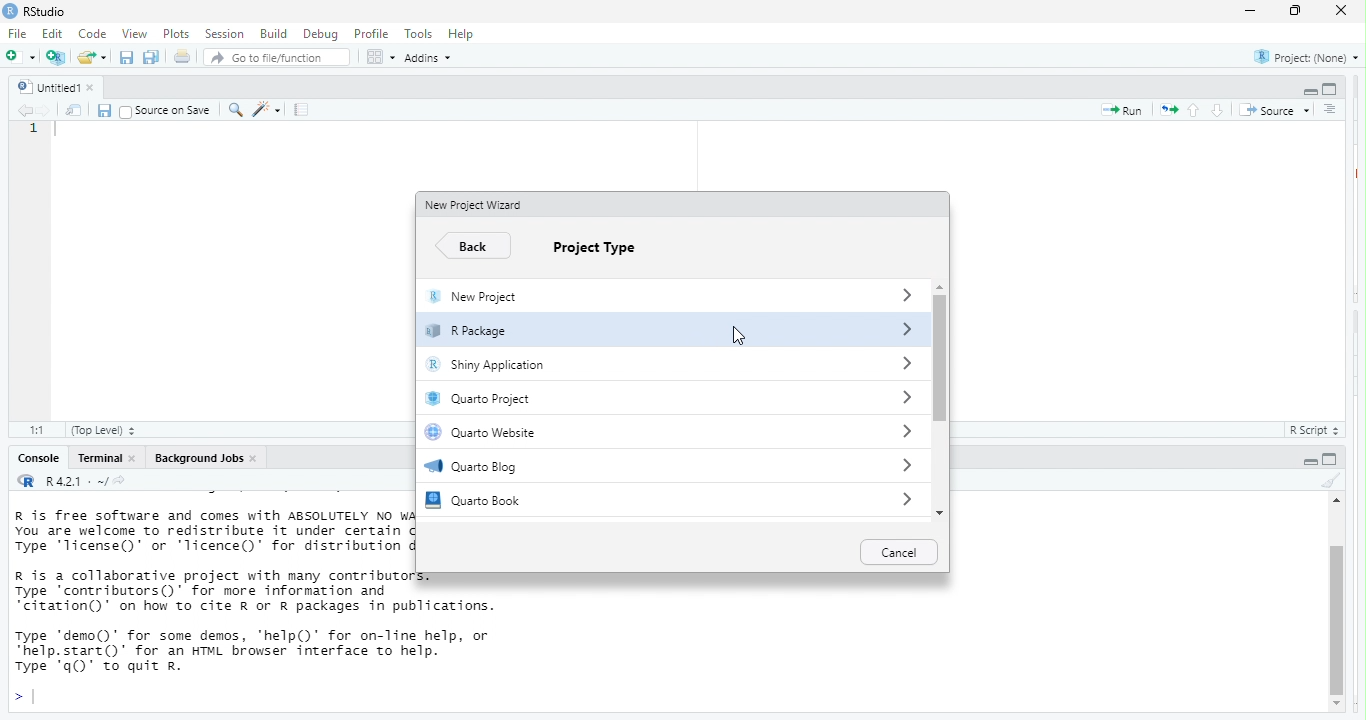  I want to click on re run the previous code, so click(1167, 111).